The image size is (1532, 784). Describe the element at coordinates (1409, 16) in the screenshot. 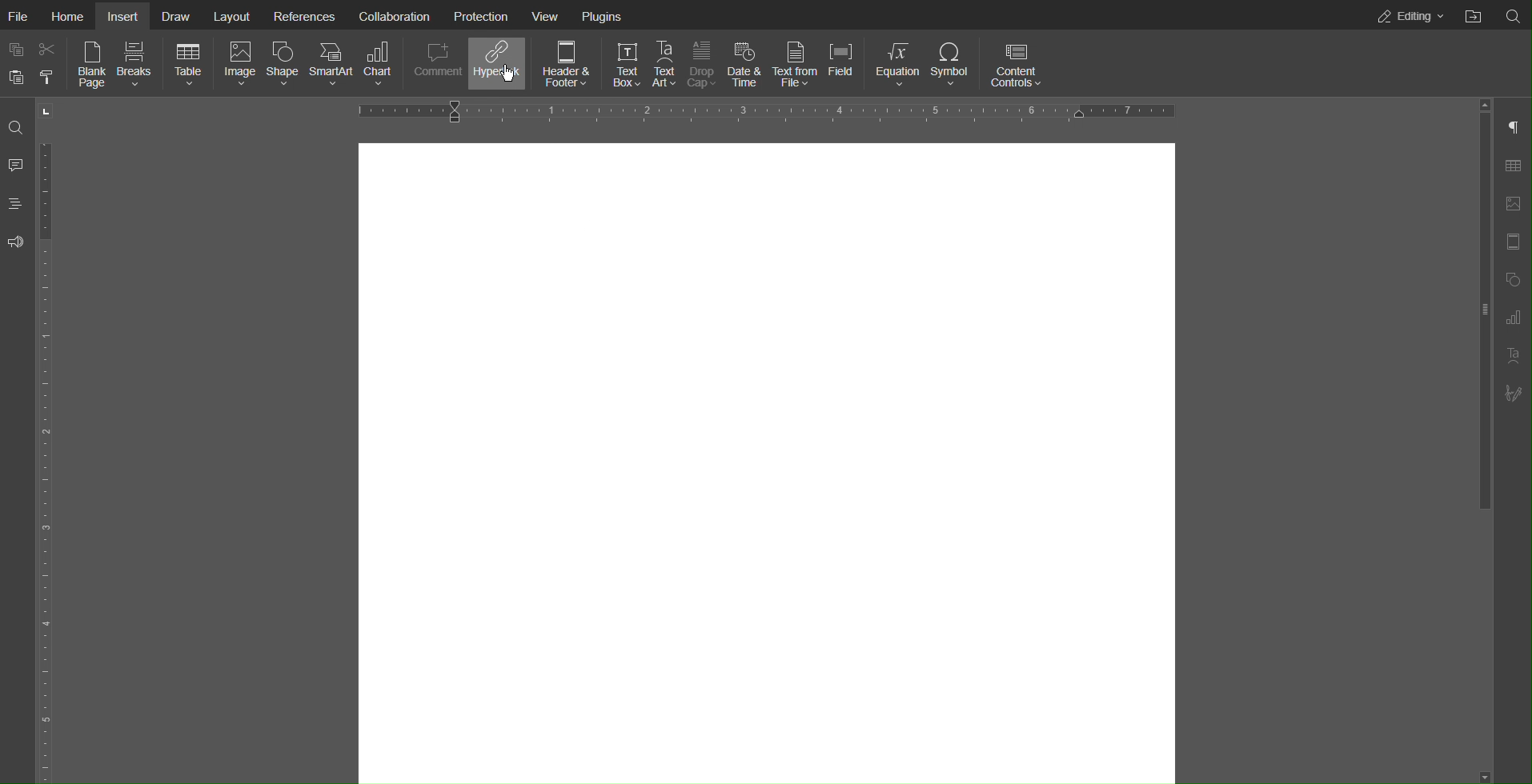

I see `Editing` at that location.